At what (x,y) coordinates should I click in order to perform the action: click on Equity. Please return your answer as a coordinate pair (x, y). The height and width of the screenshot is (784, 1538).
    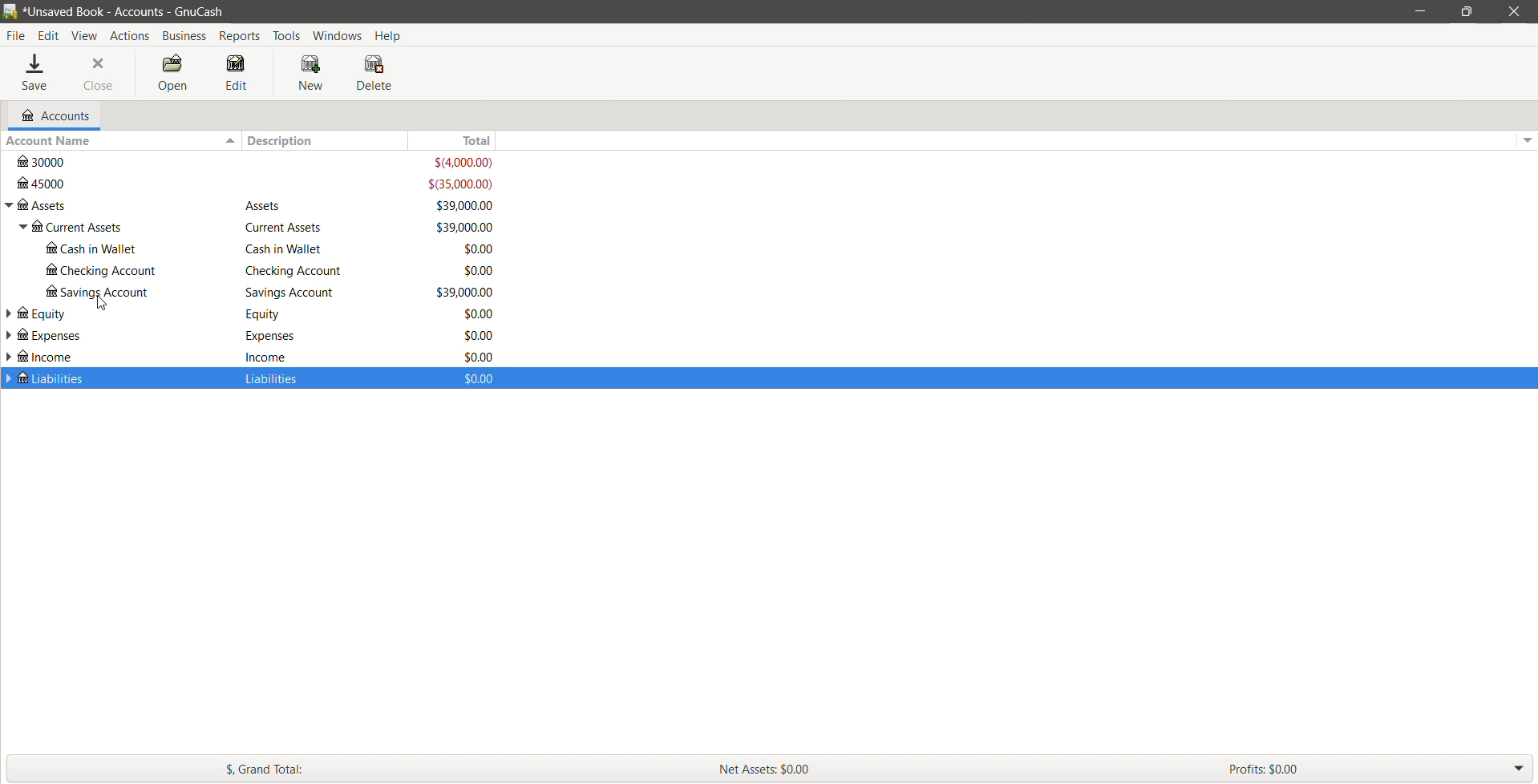
    Looking at the image, I should click on (287, 228).